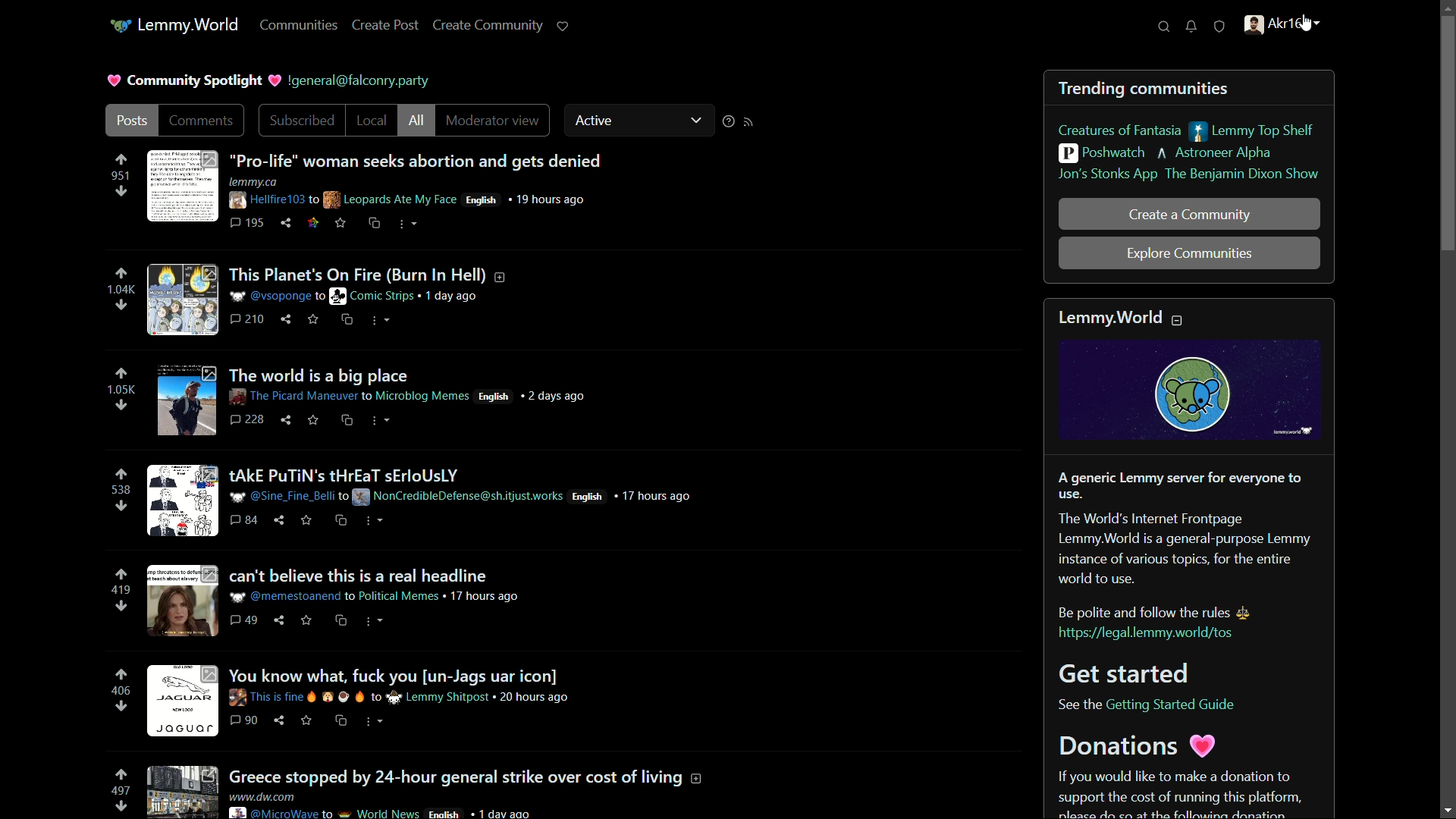 The image size is (1456, 819). What do you see at coordinates (1120, 131) in the screenshot?
I see `creature of fantasia` at bounding box center [1120, 131].